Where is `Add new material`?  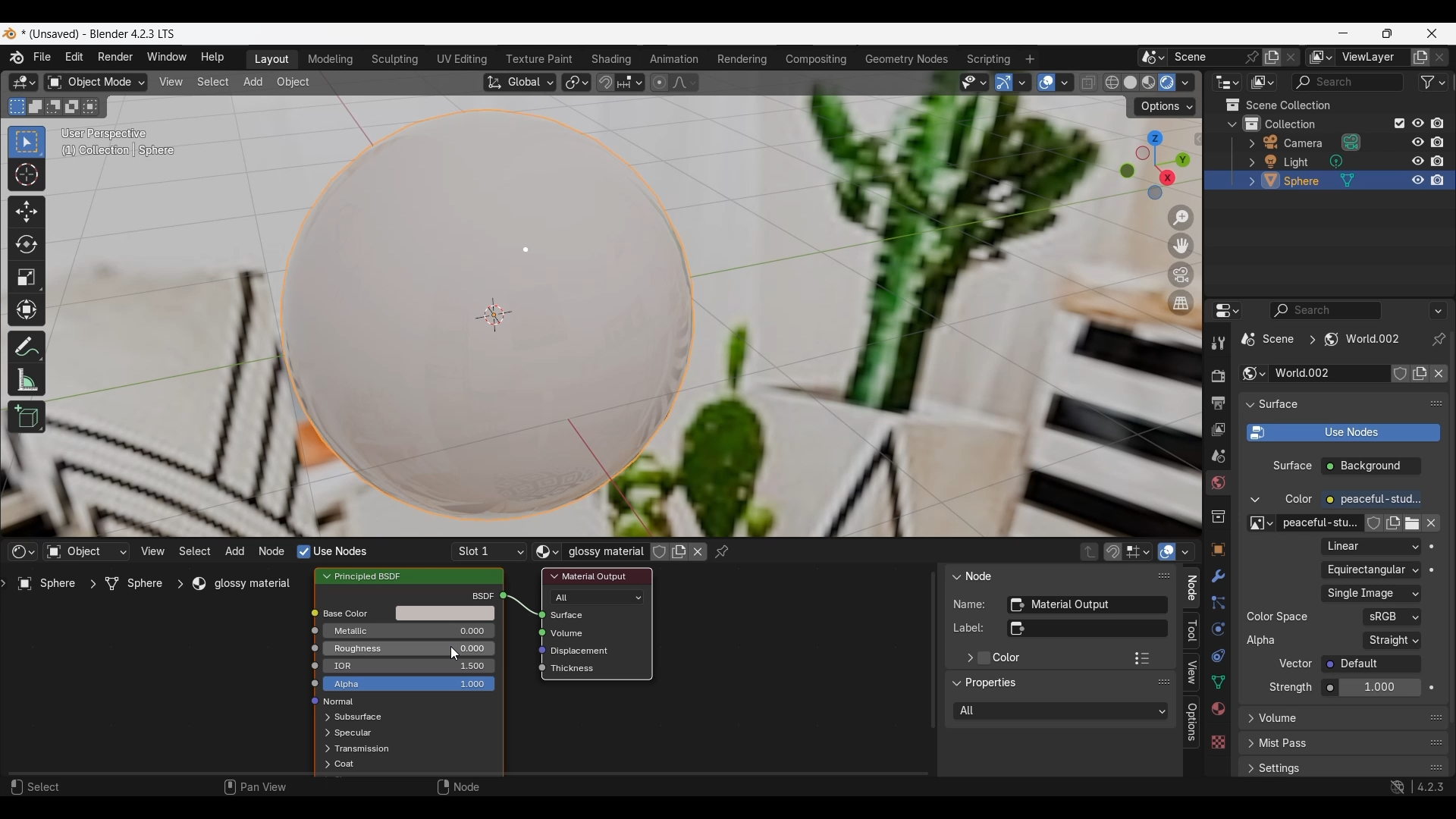
Add new material is located at coordinates (679, 551).